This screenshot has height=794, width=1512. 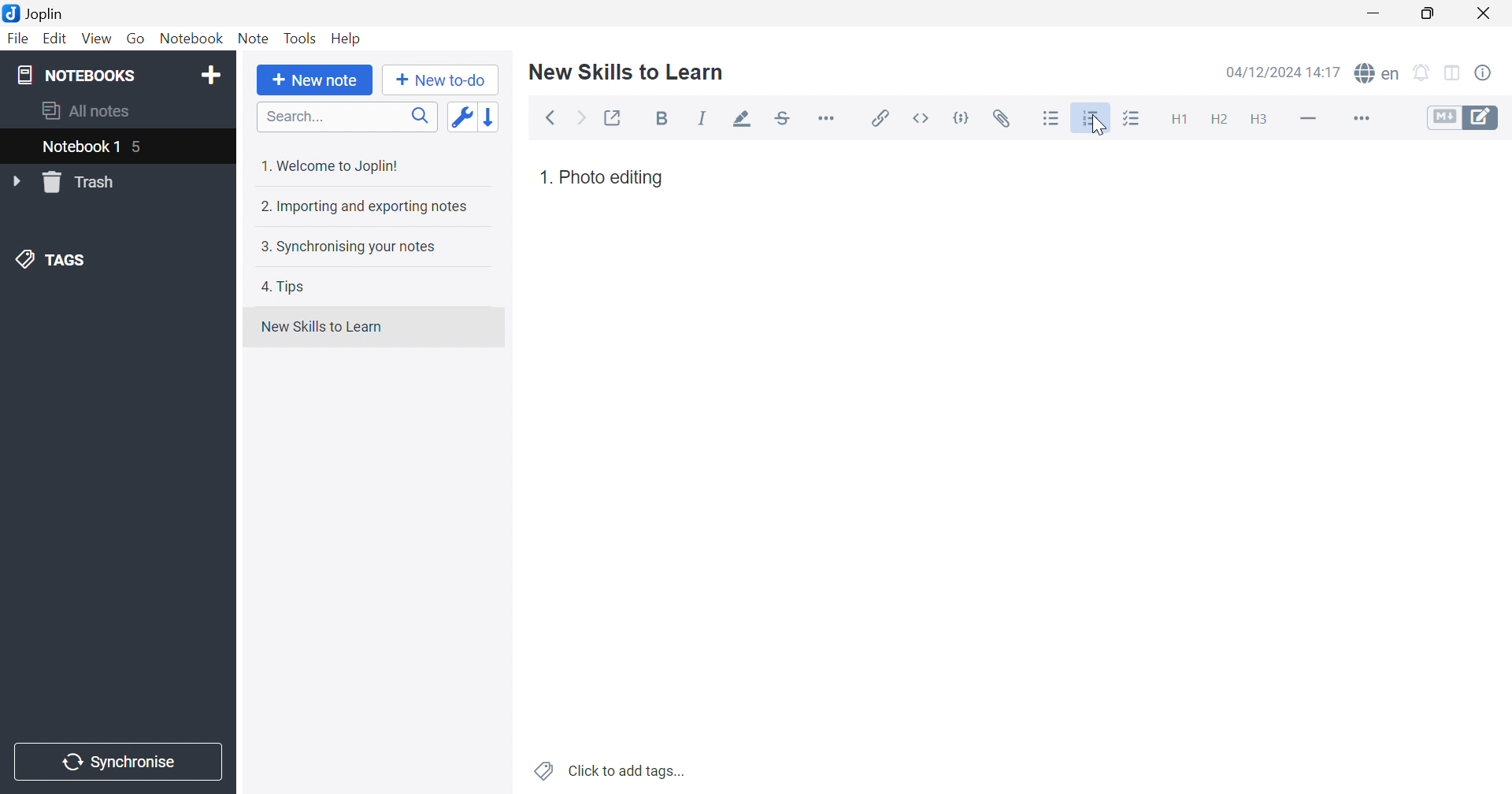 I want to click on Go, so click(x=135, y=39).